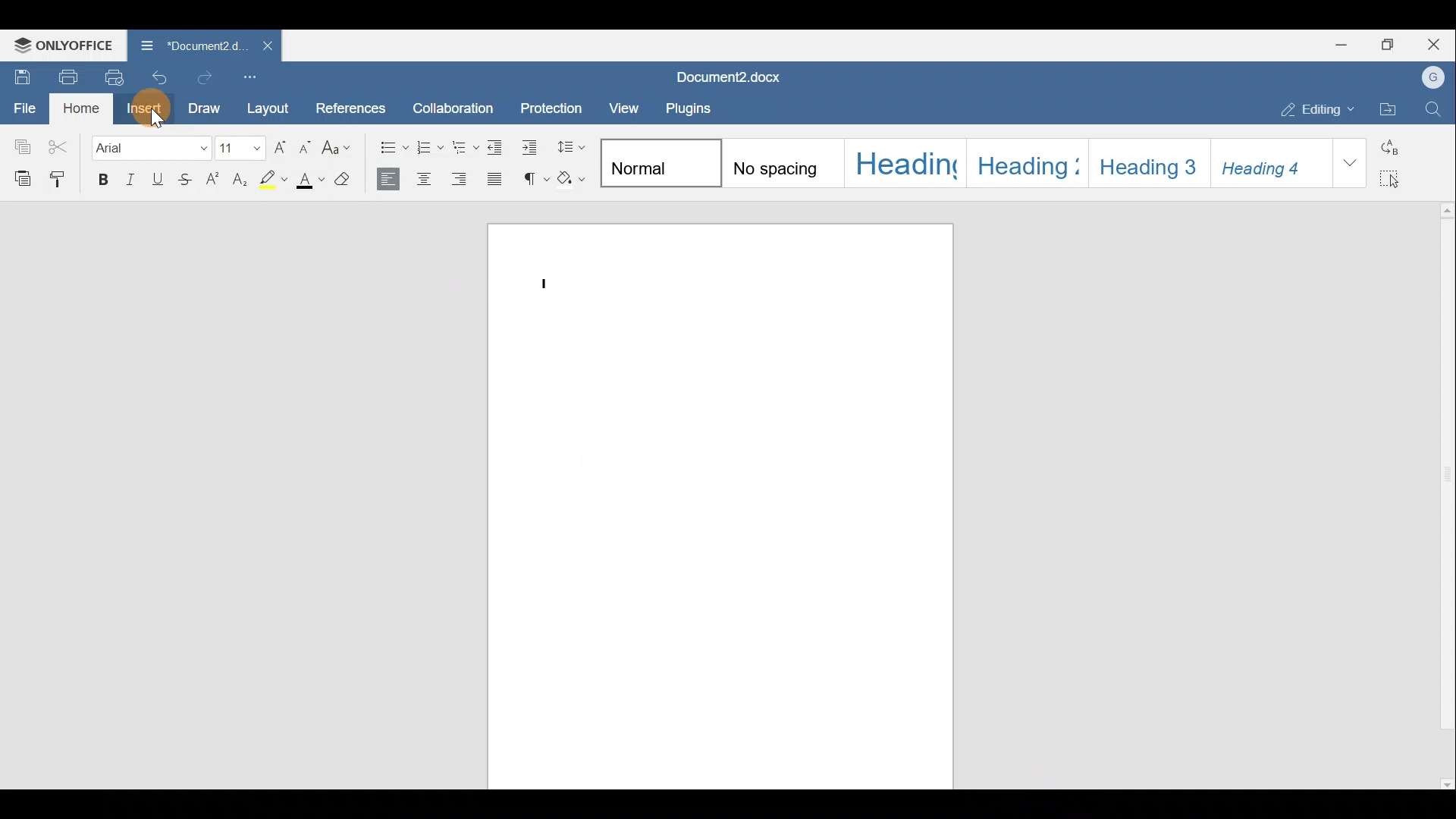  Describe the element at coordinates (533, 147) in the screenshot. I see `Increase indent` at that location.